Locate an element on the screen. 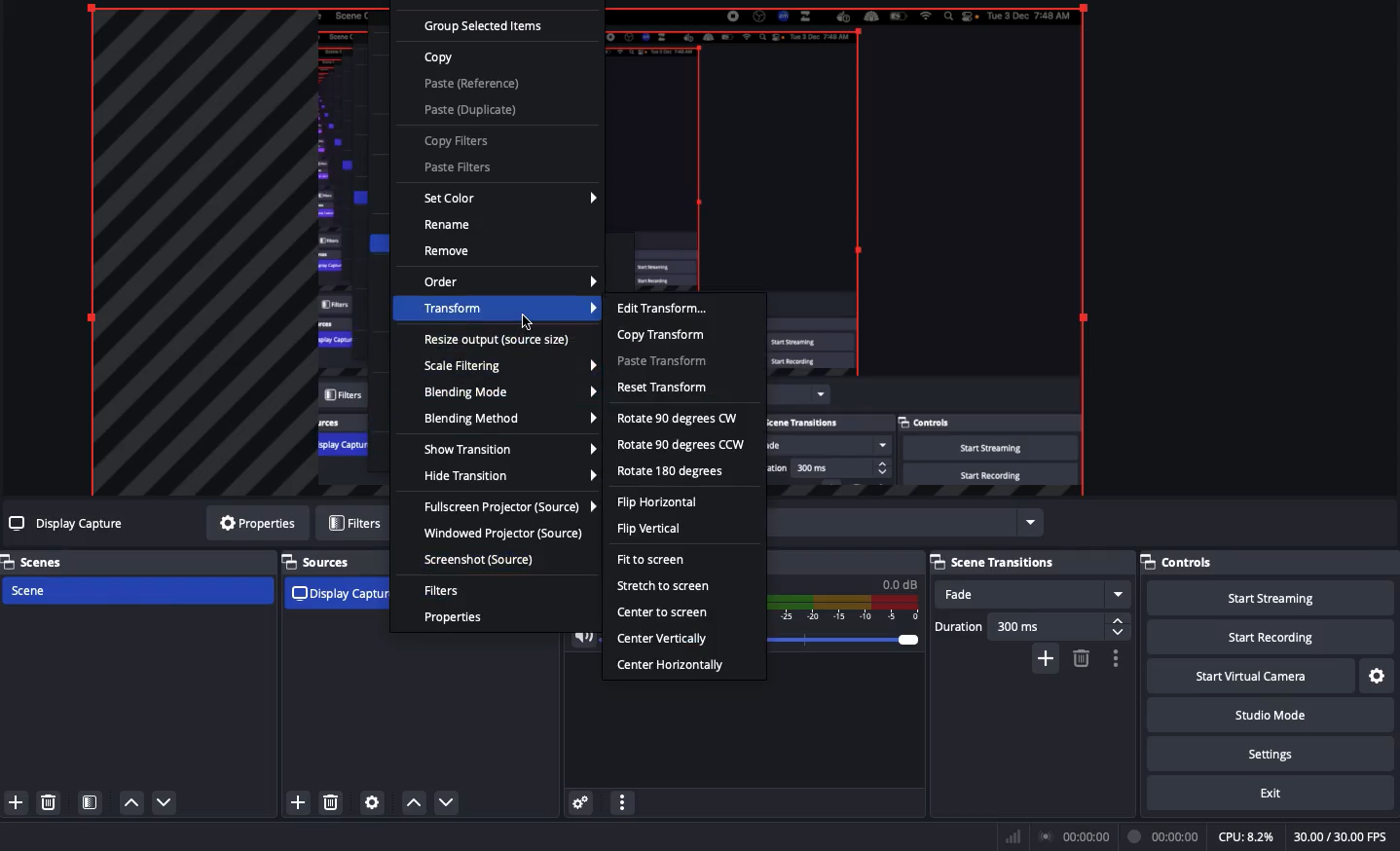 This screenshot has width=1400, height=851. Fit to screen  is located at coordinates (657, 560).